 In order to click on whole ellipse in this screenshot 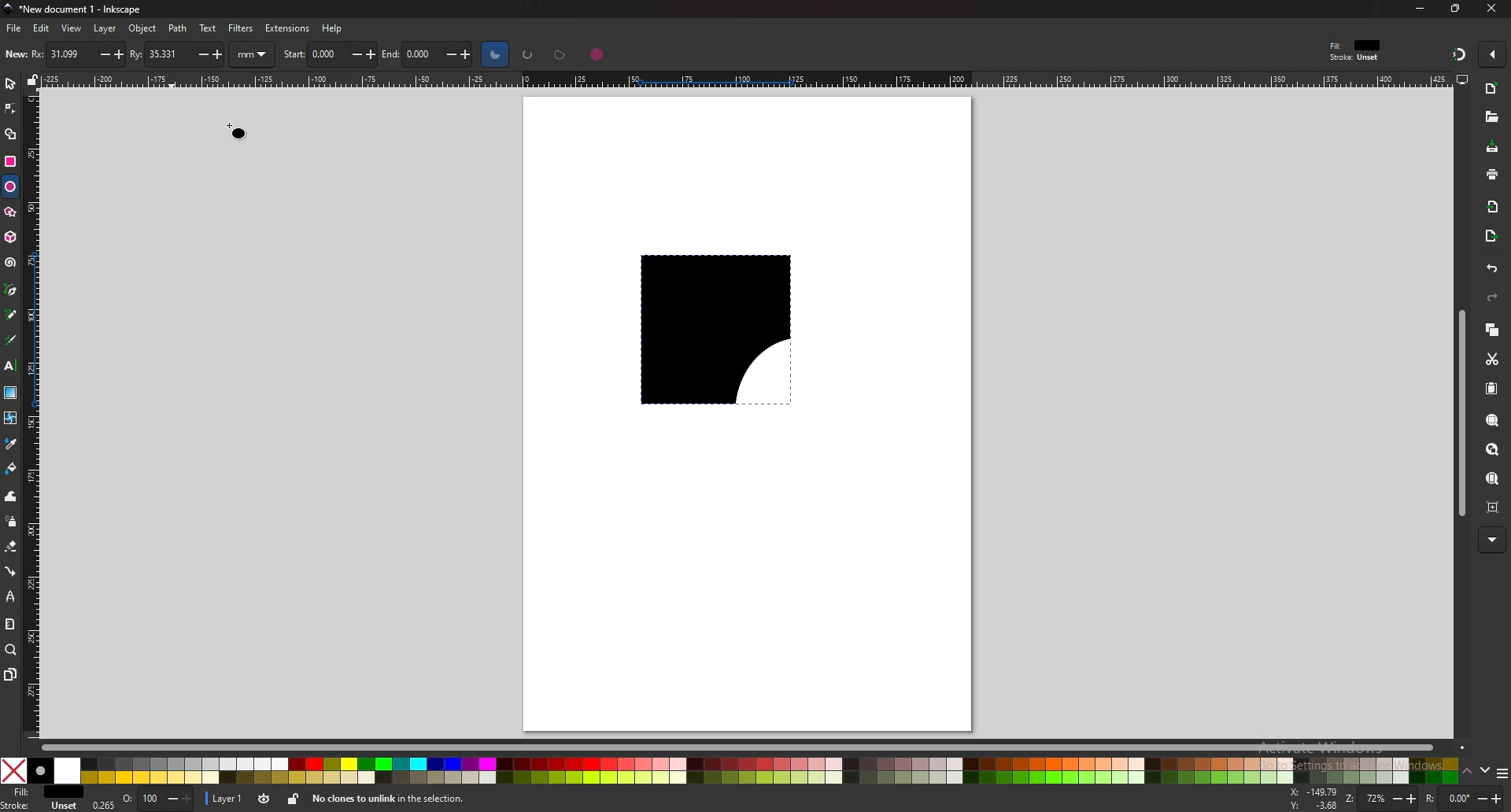, I will do `click(599, 54)`.